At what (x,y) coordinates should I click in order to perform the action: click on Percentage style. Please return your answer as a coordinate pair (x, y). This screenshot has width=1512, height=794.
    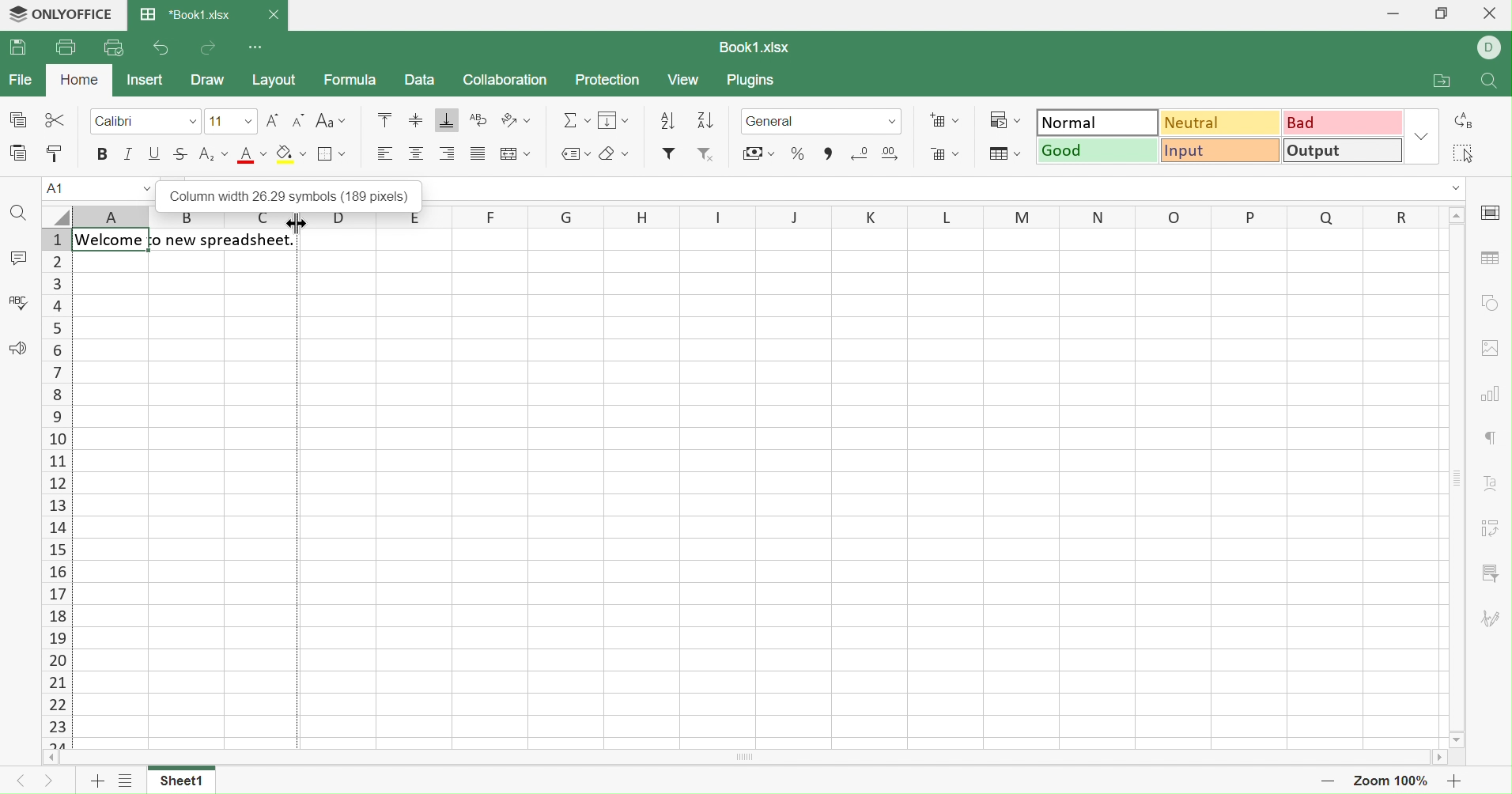
    Looking at the image, I should click on (798, 153).